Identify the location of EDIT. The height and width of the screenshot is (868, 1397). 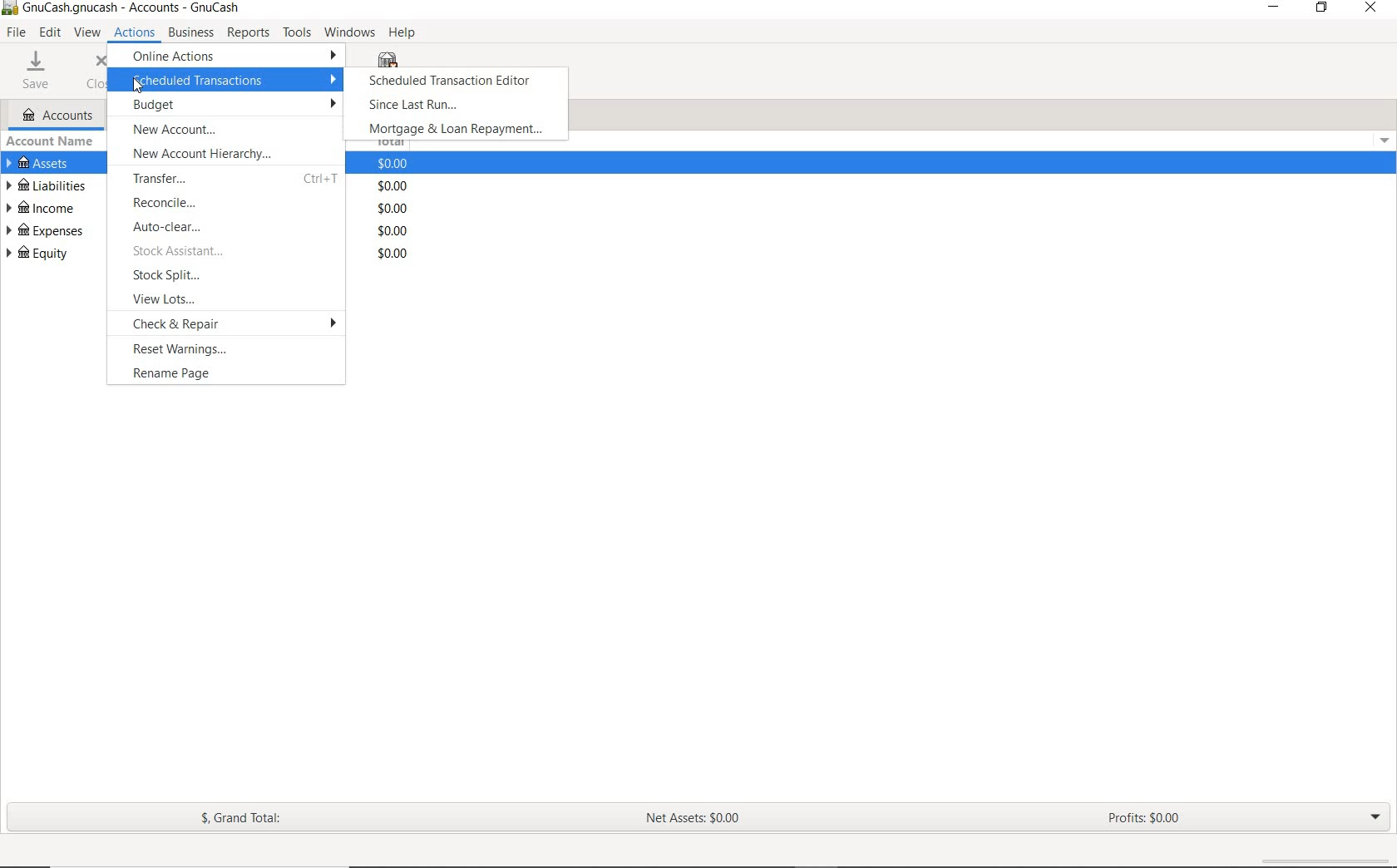
(51, 33).